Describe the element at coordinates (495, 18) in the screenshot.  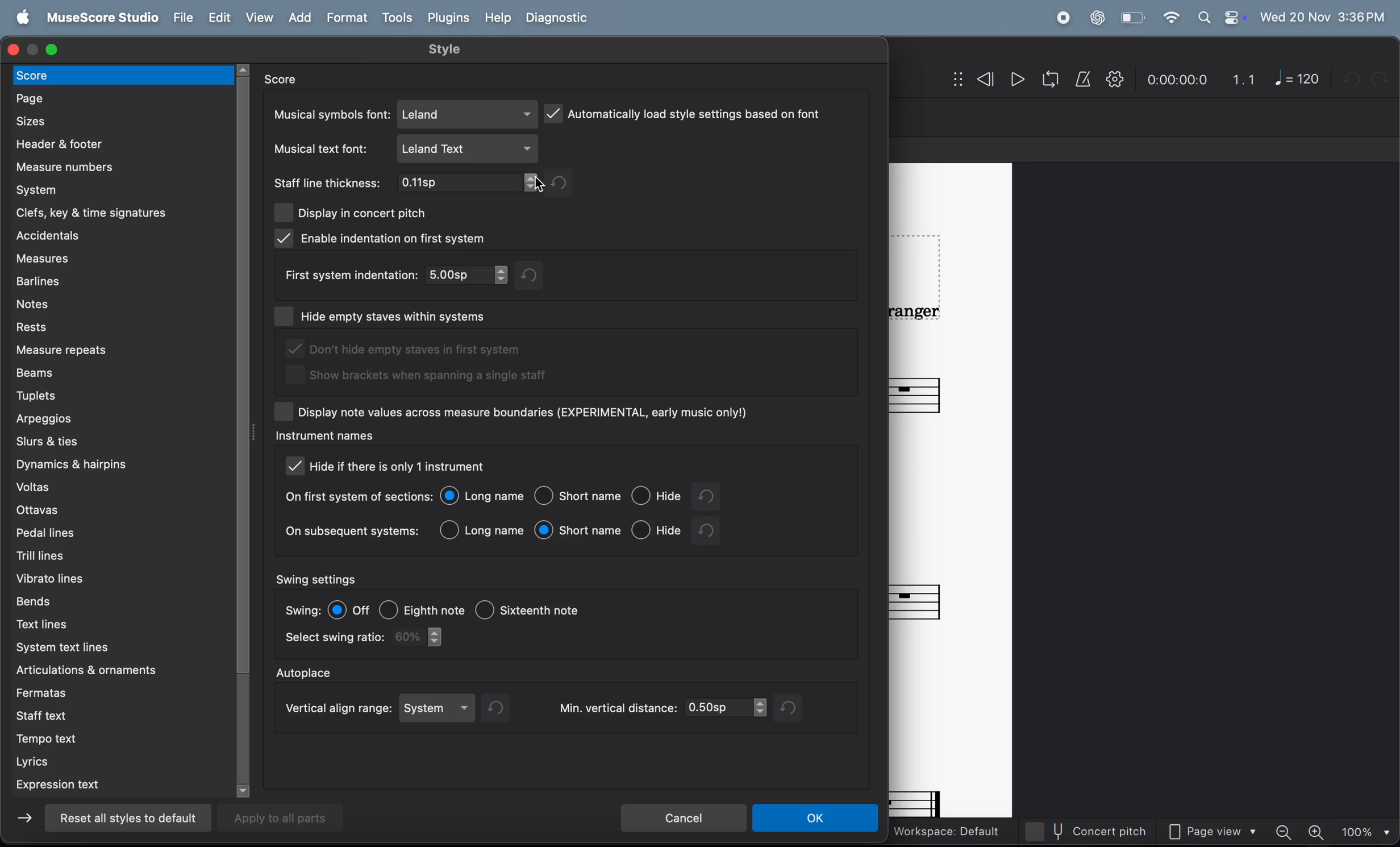
I see `help` at that location.